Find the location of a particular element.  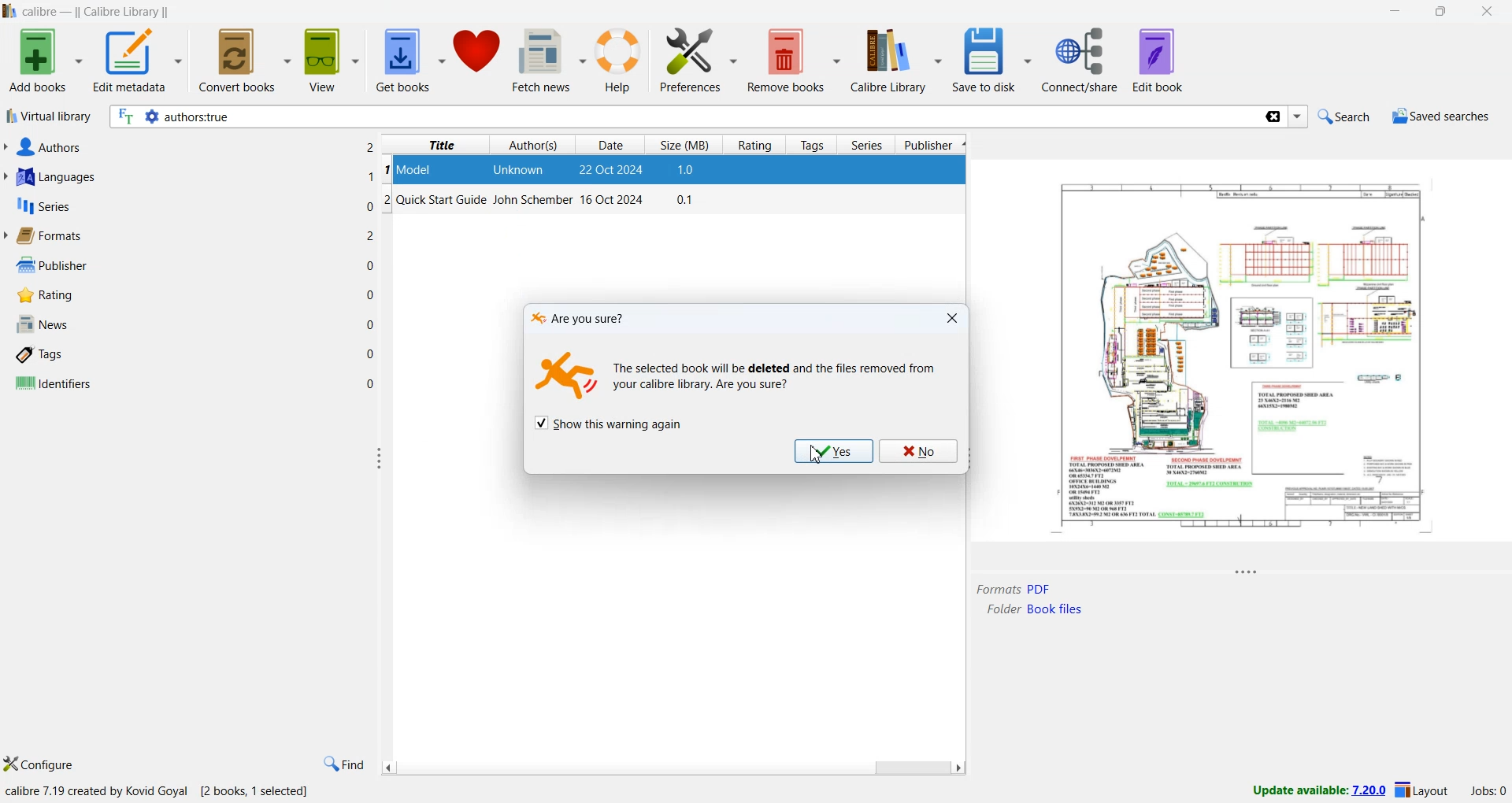

configure is located at coordinates (40, 765).